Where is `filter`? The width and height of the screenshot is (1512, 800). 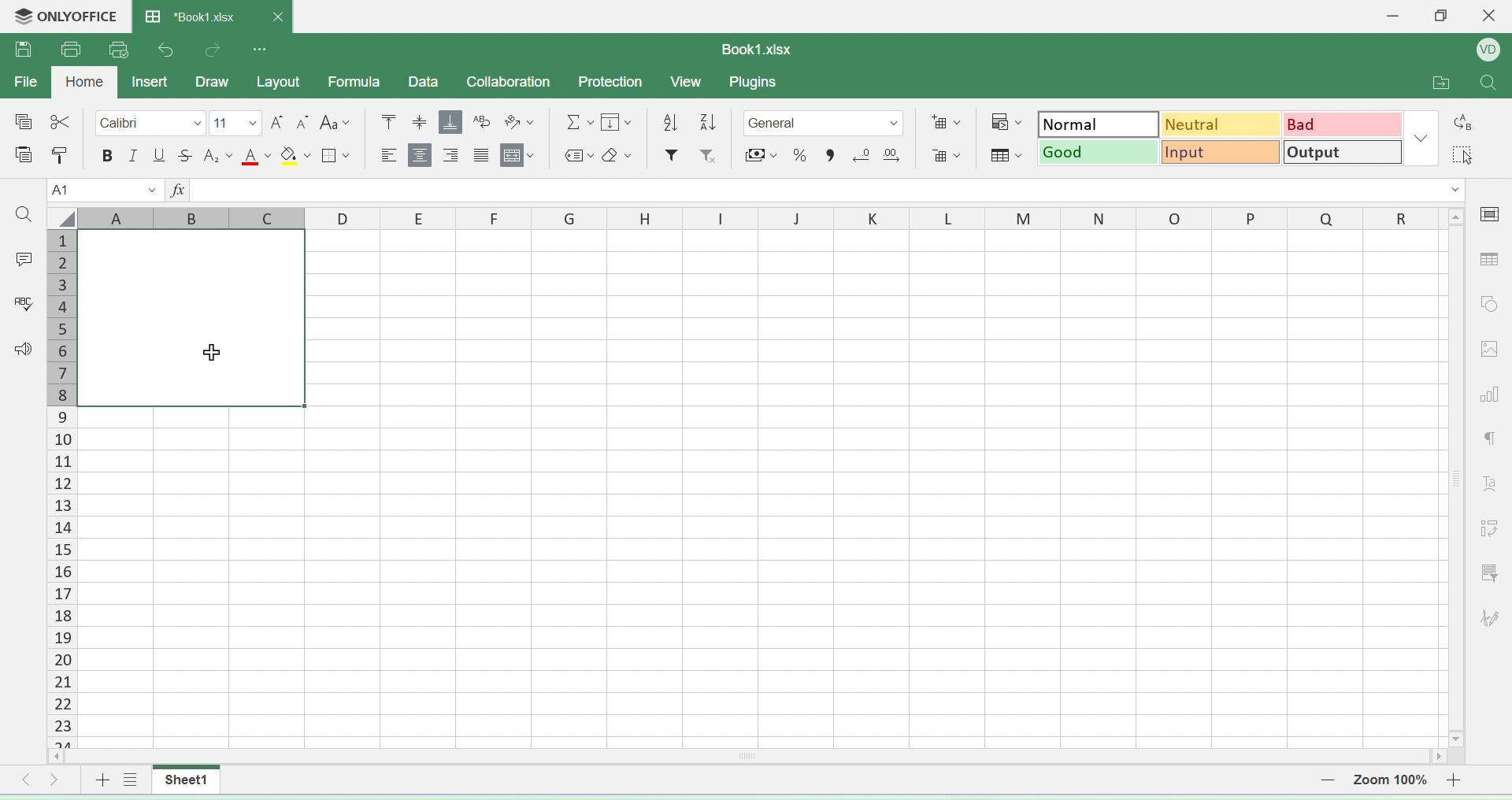 filter is located at coordinates (1492, 574).